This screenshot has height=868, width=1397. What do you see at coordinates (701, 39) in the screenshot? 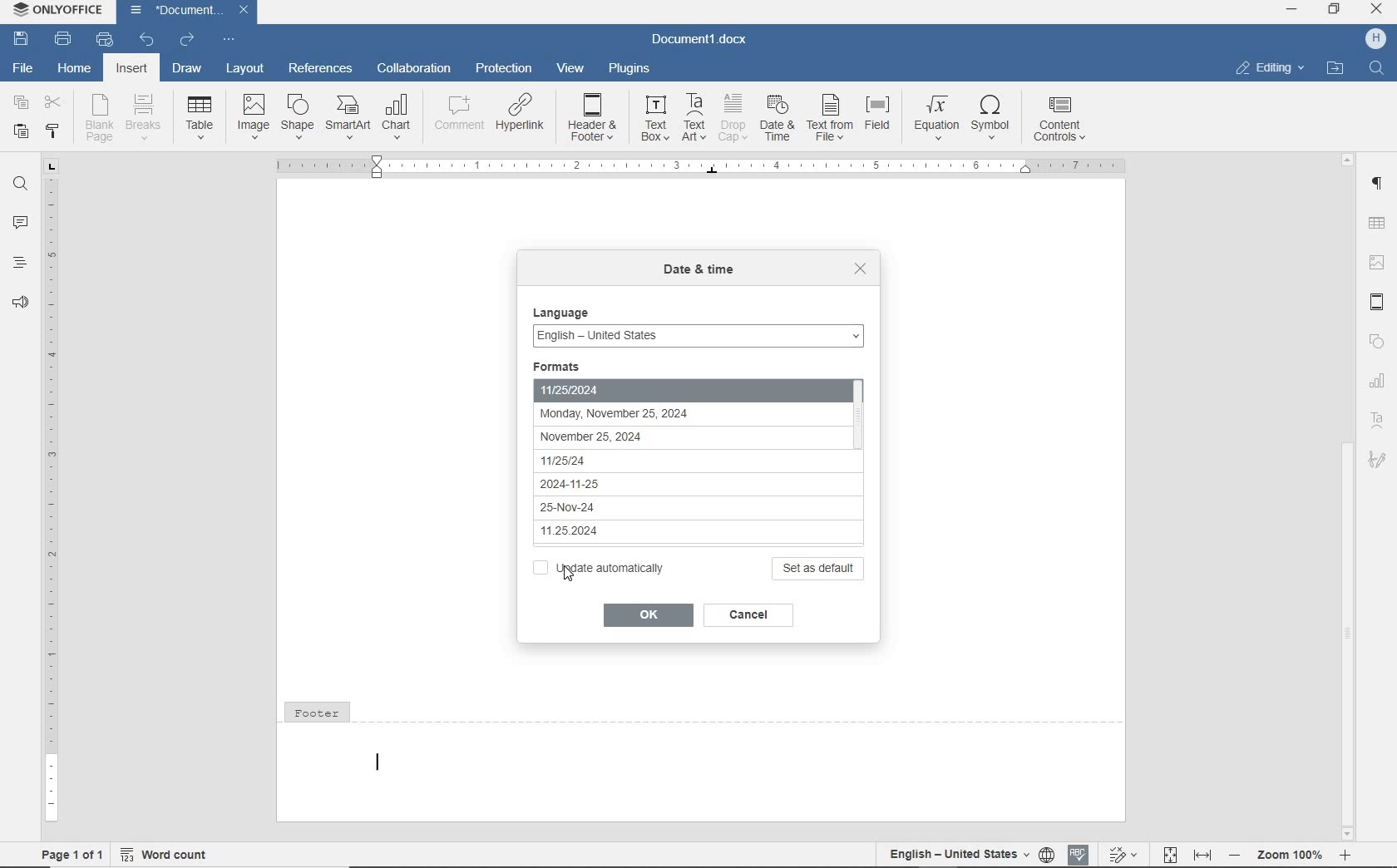
I see `document name` at bounding box center [701, 39].